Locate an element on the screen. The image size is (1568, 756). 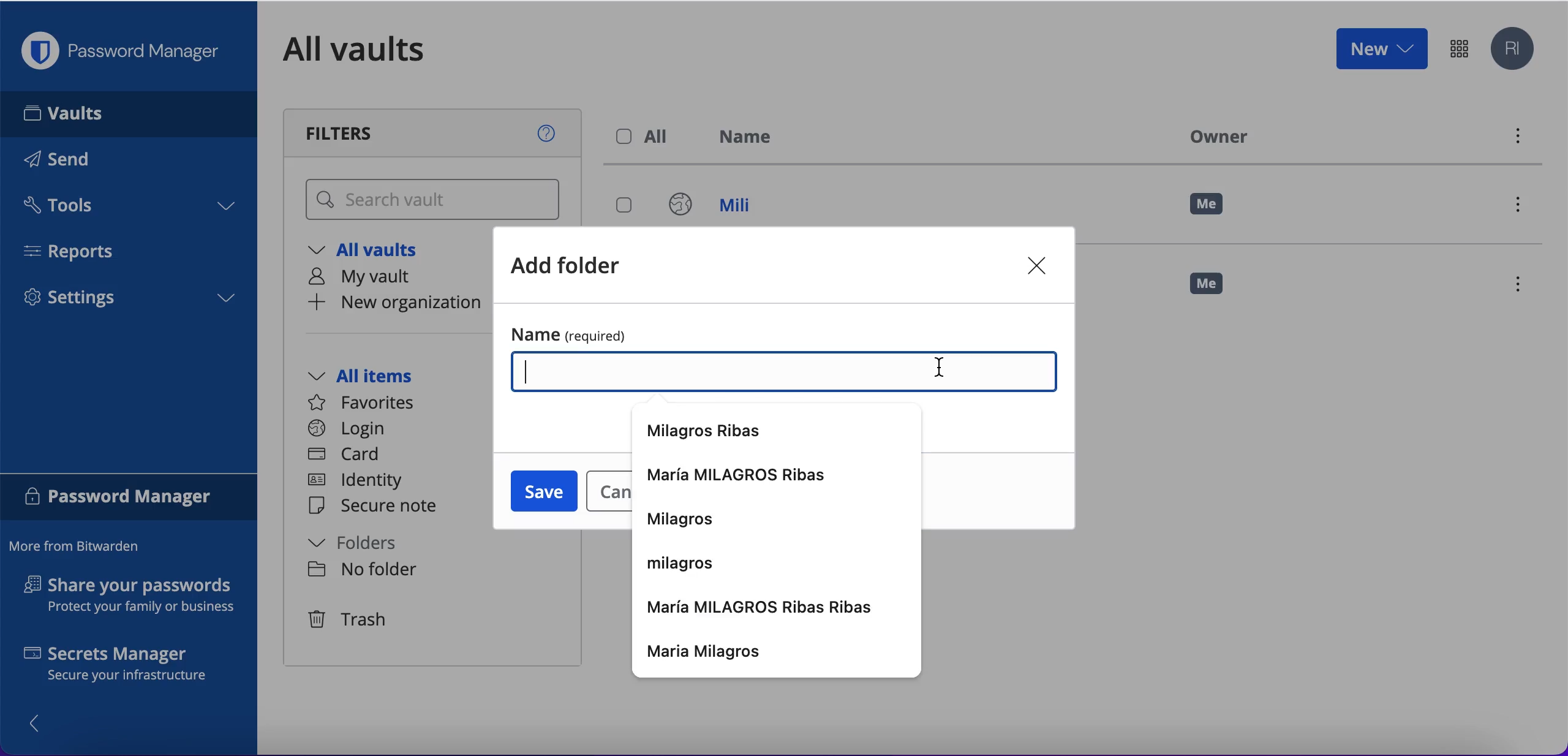
login is located at coordinates (347, 429).